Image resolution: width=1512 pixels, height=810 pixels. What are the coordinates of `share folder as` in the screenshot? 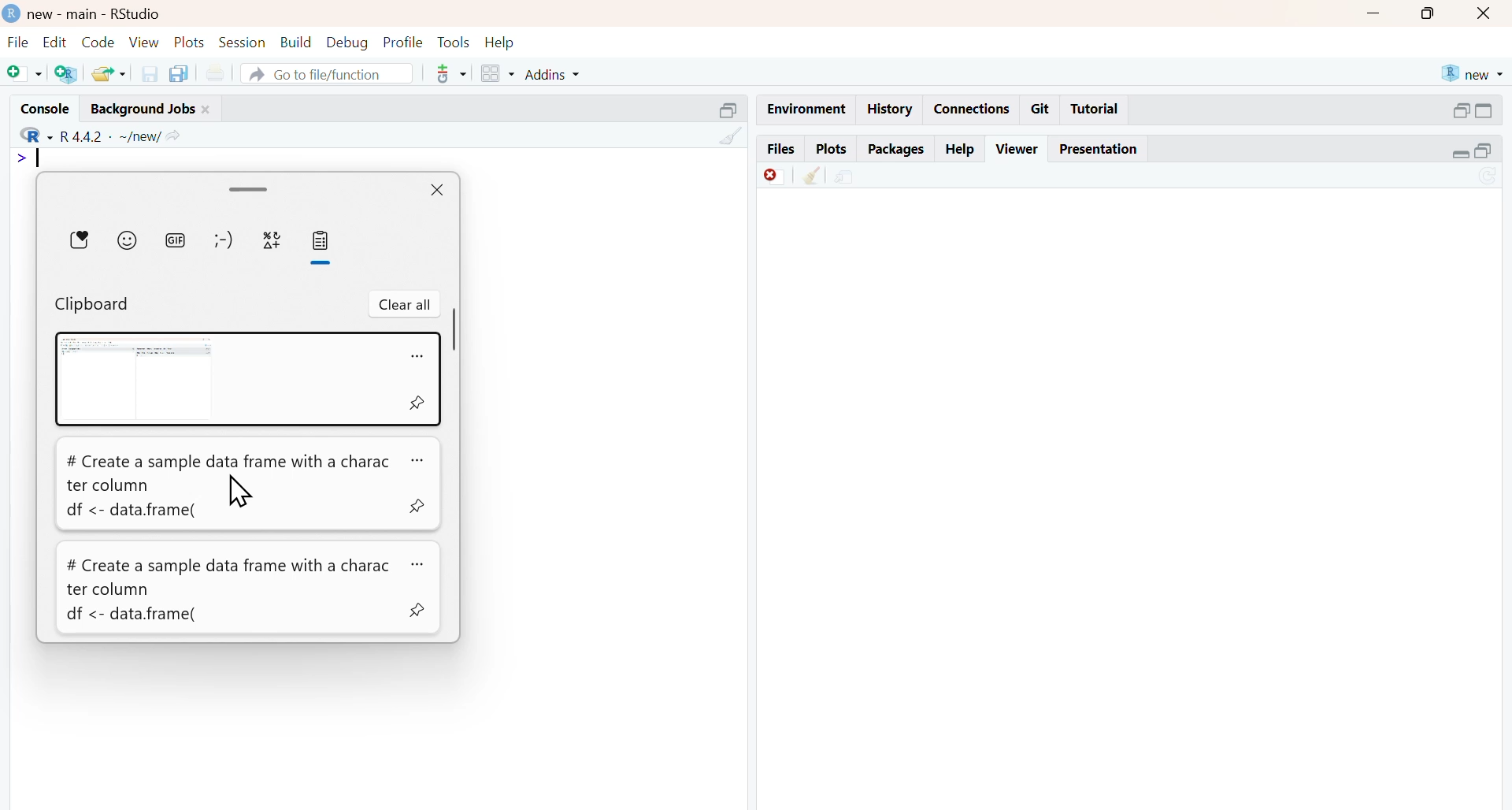 It's located at (111, 73).